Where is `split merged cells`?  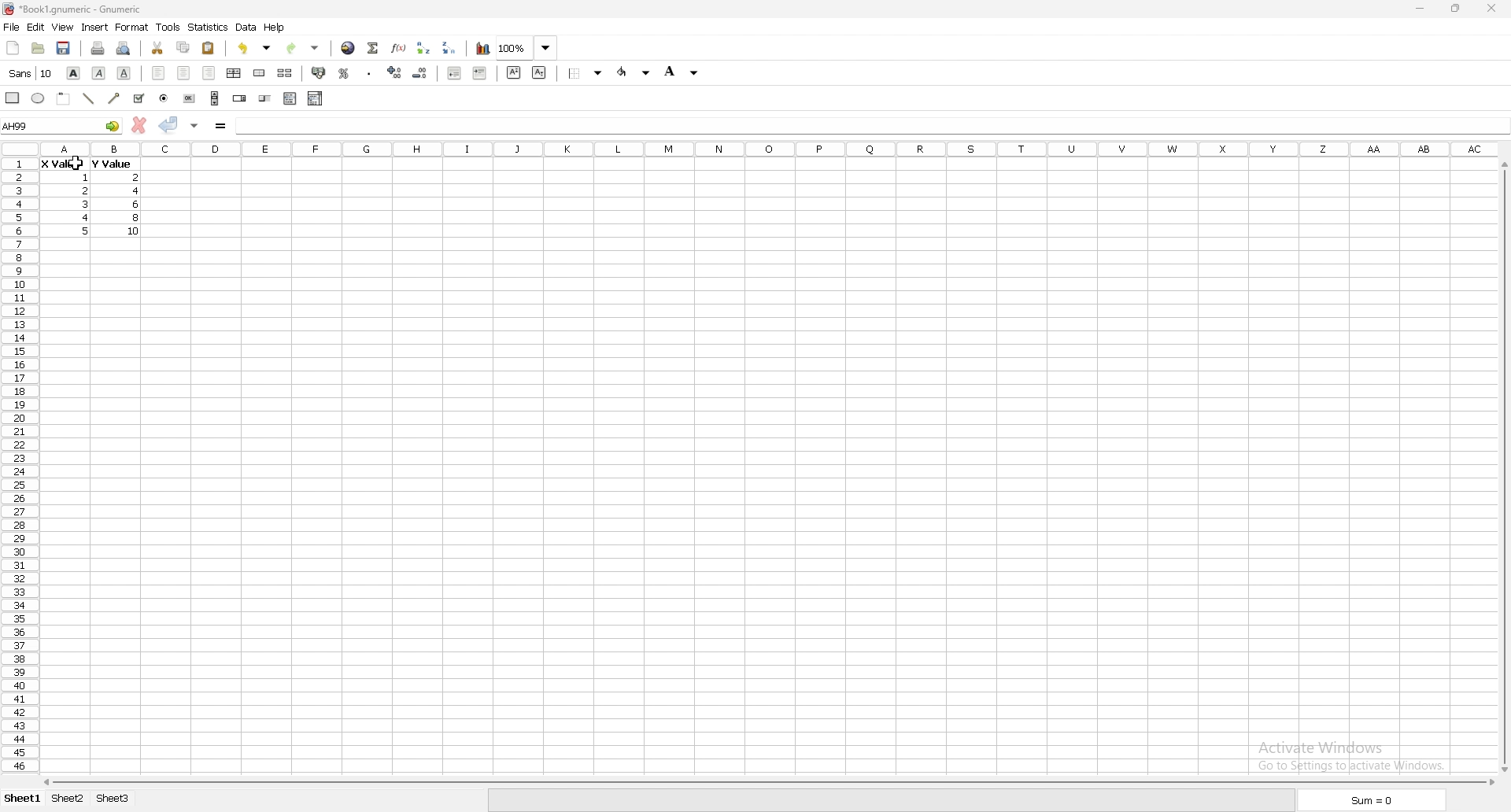 split merged cells is located at coordinates (284, 73).